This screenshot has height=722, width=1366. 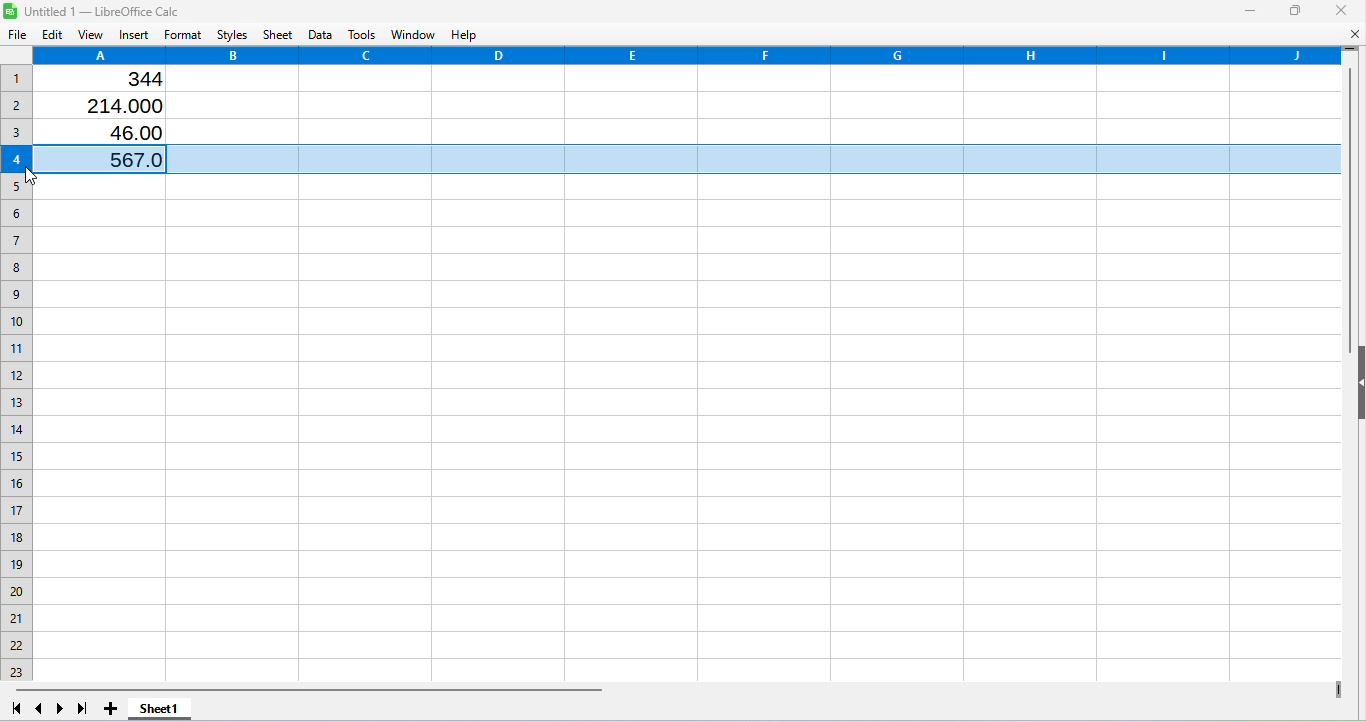 What do you see at coordinates (39, 708) in the screenshot?
I see `Scroll to previous sheet` at bounding box center [39, 708].